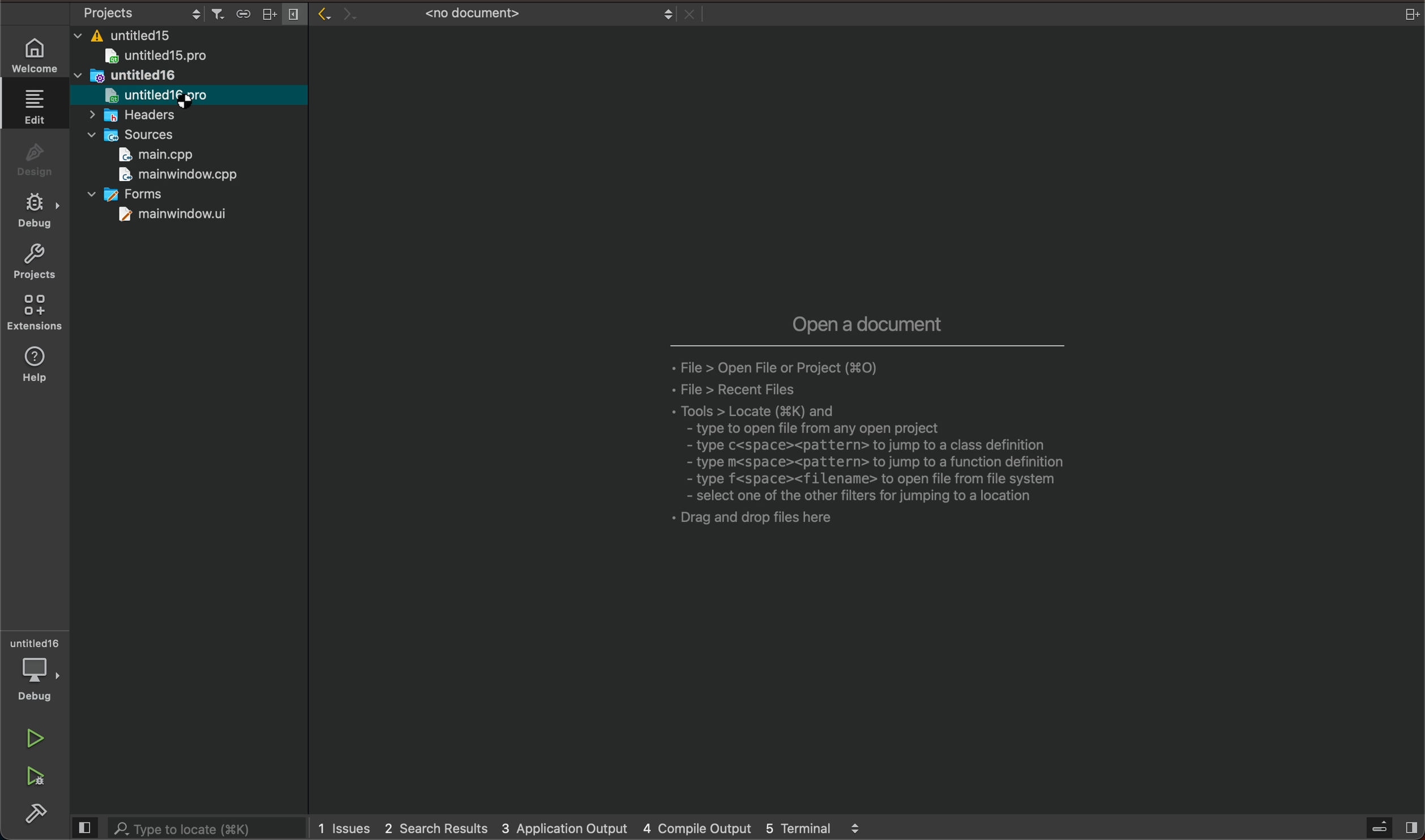 The height and width of the screenshot is (840, 1425). I want to click on mainwindow.cpp, so click(177, 176).